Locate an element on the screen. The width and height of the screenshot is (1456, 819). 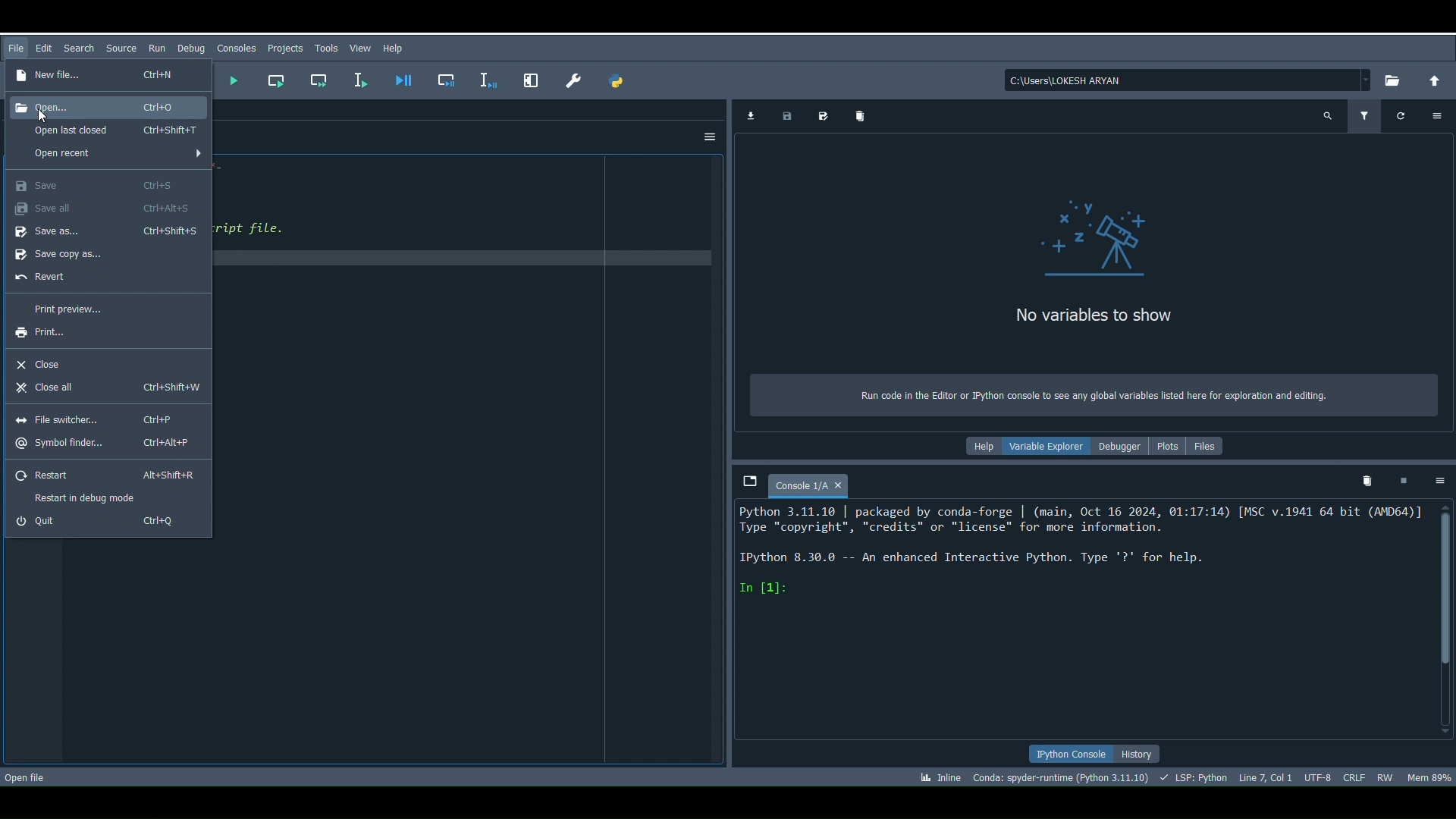
Edit is located at coordinates (46, 48).